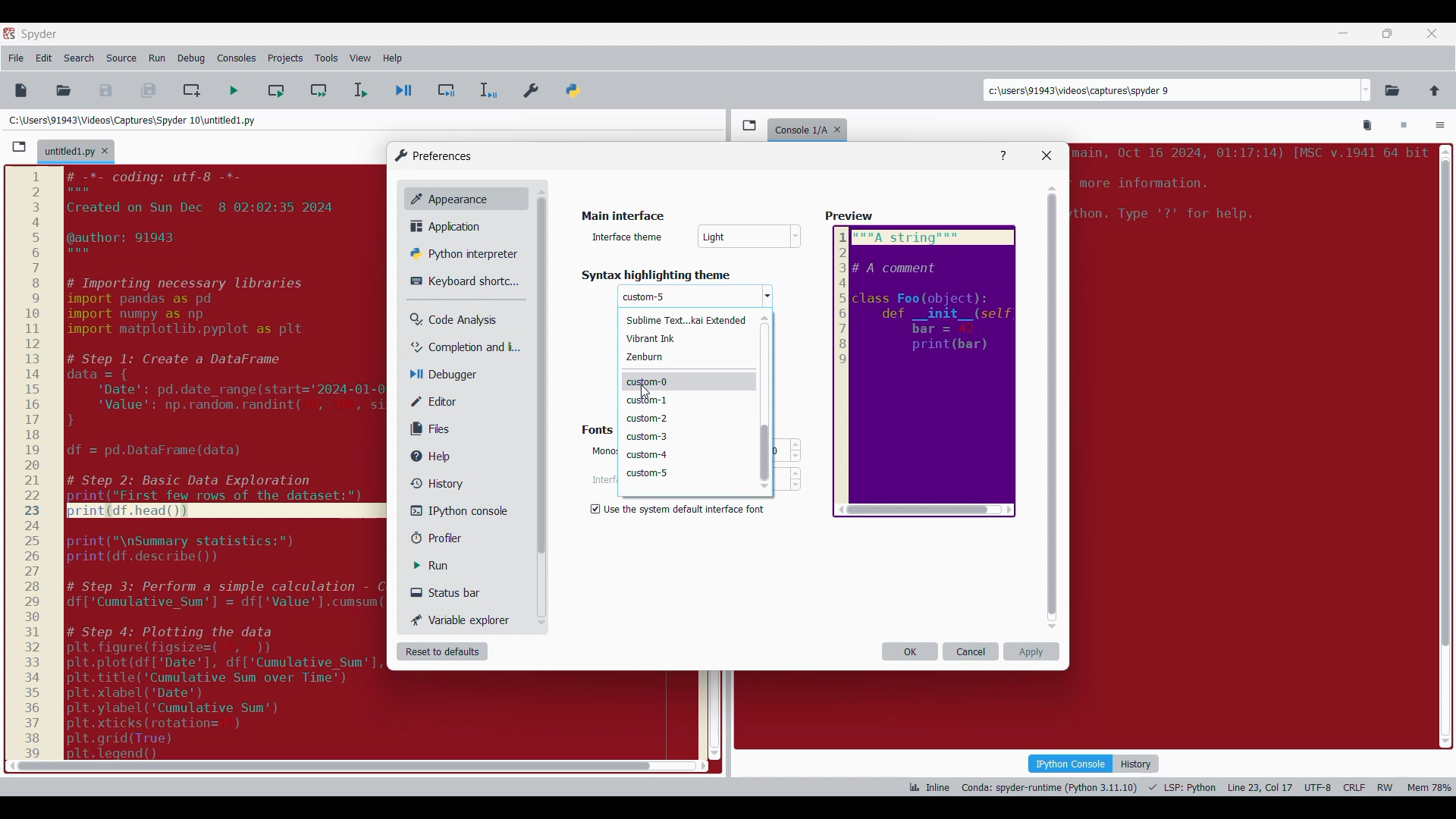  Describe the element at coordinates (1404, 126) in the screenshot. I see `Interrupt kernel` at that location.